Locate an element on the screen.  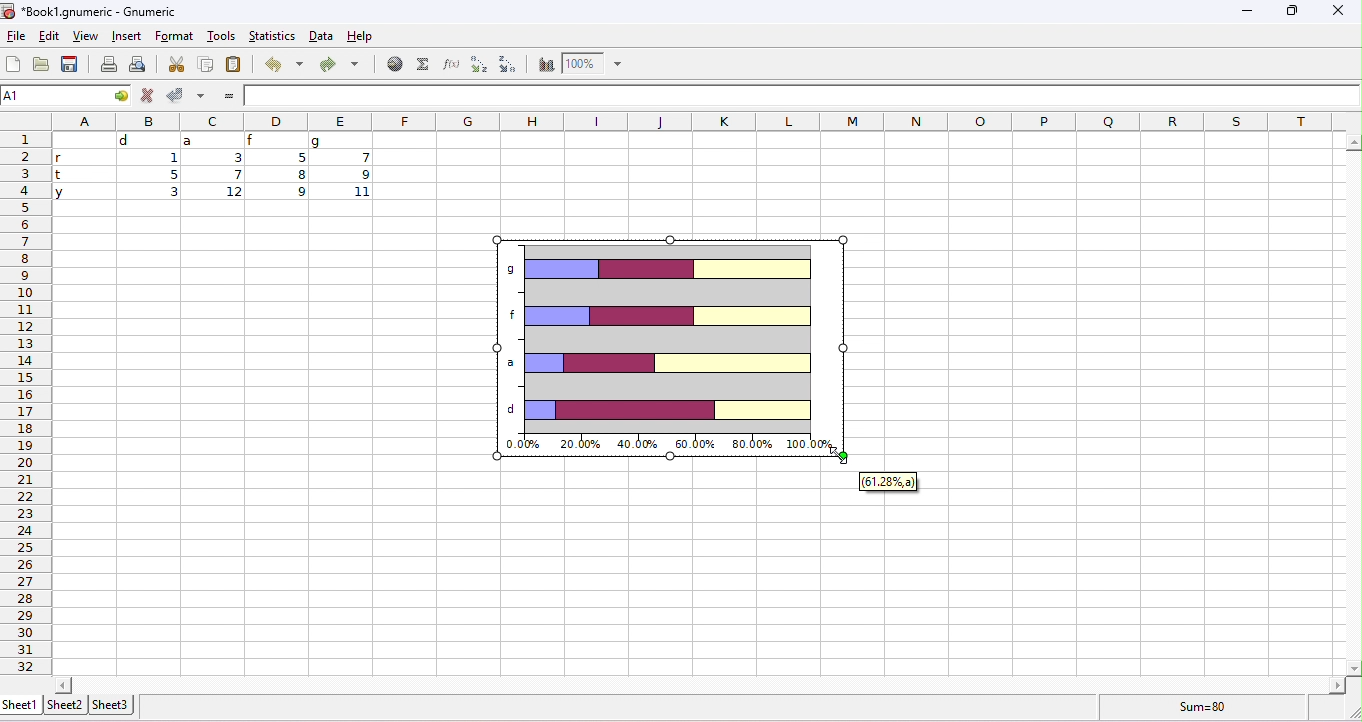
help is located at coordinates (361, 36).